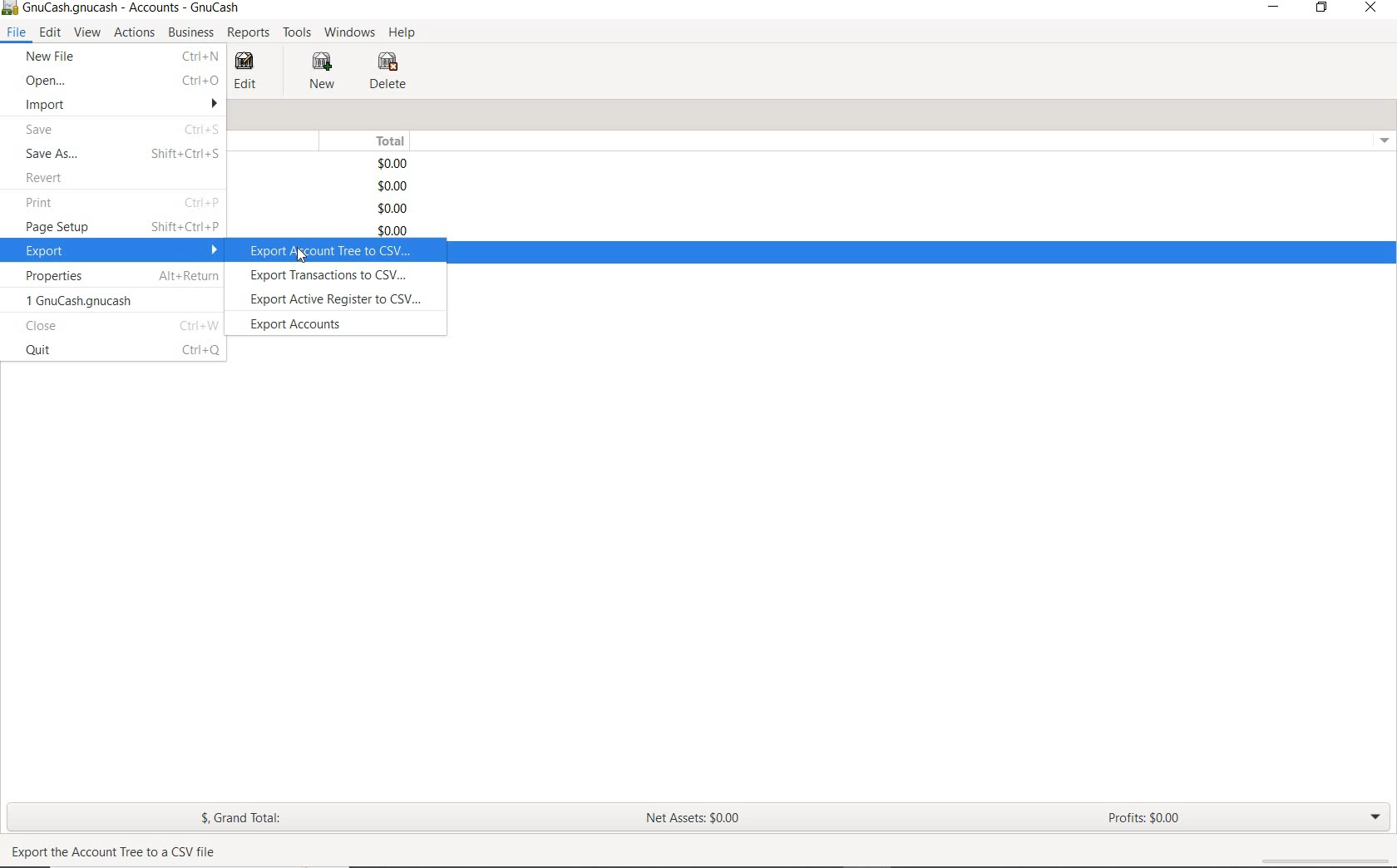 The height and width of the screenshot is (868, 1397). Describe the element at coordinates (348, 33) in the screenshot. I see `WINDOWS` at that location.